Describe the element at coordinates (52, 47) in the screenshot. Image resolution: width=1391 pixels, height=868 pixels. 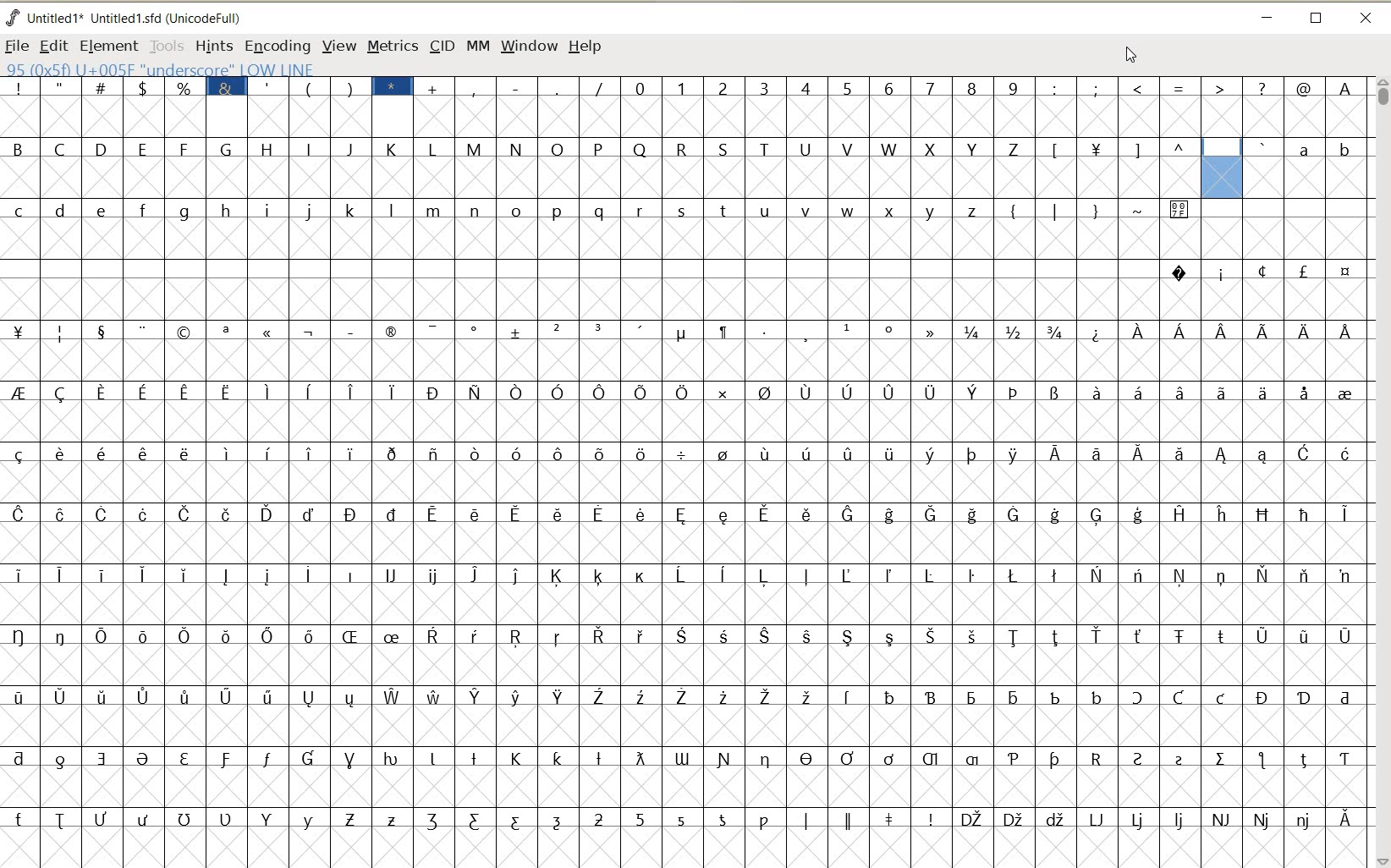
I see `EDIT` at that location.